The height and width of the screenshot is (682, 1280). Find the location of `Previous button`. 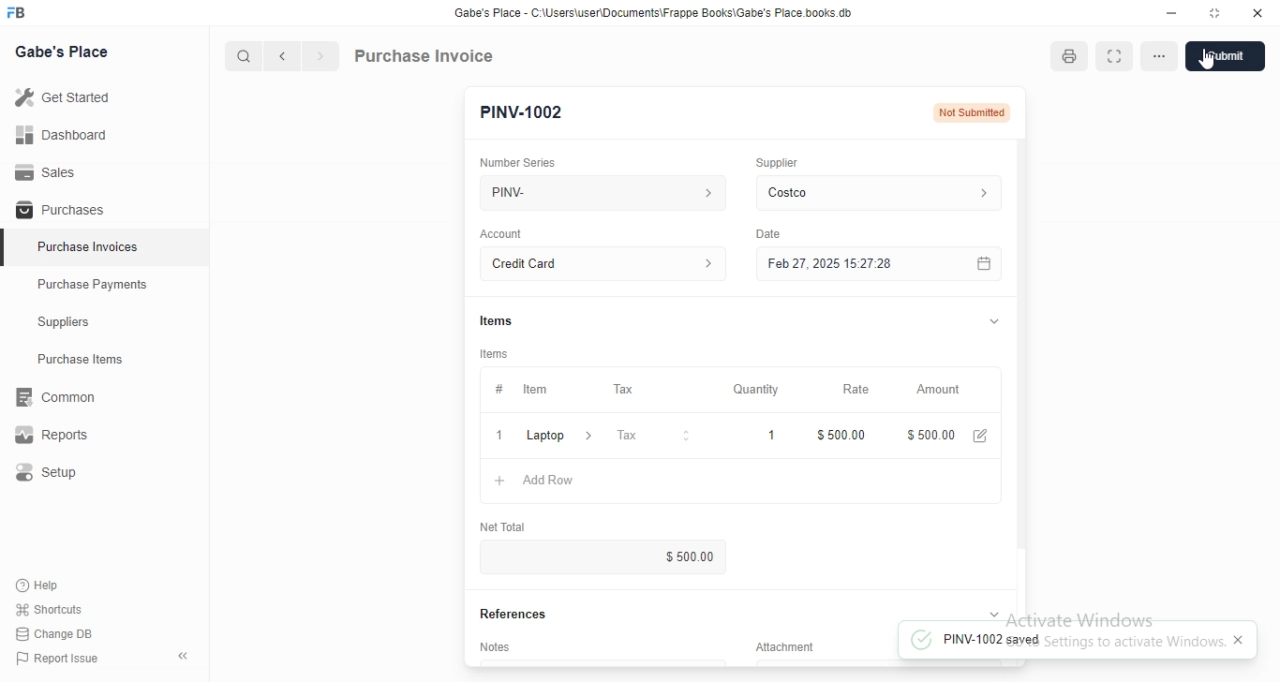

Previous button is located at coordinates (283, 56).